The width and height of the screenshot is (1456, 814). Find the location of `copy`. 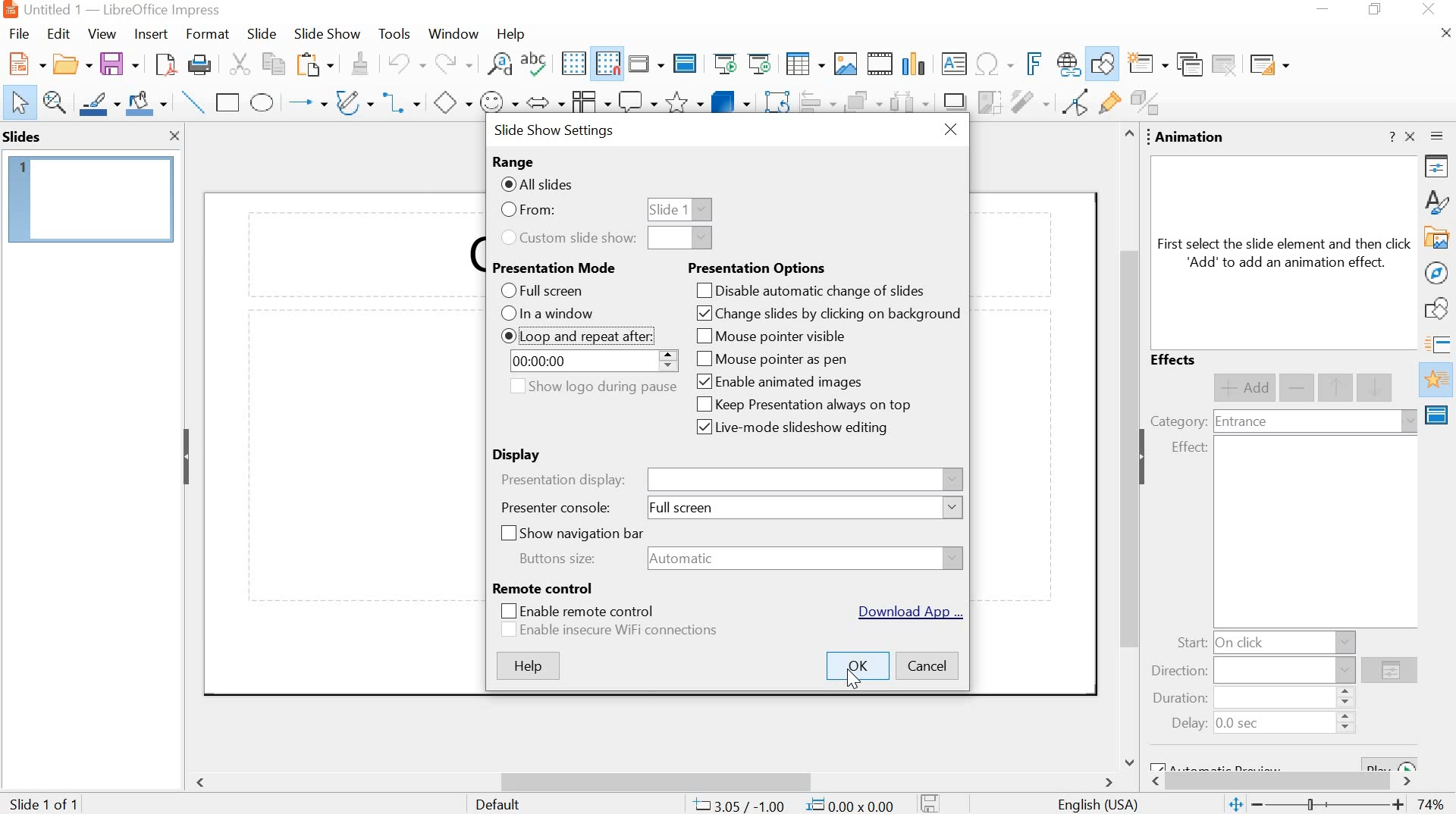

copy is located at coordinates (270, 64).